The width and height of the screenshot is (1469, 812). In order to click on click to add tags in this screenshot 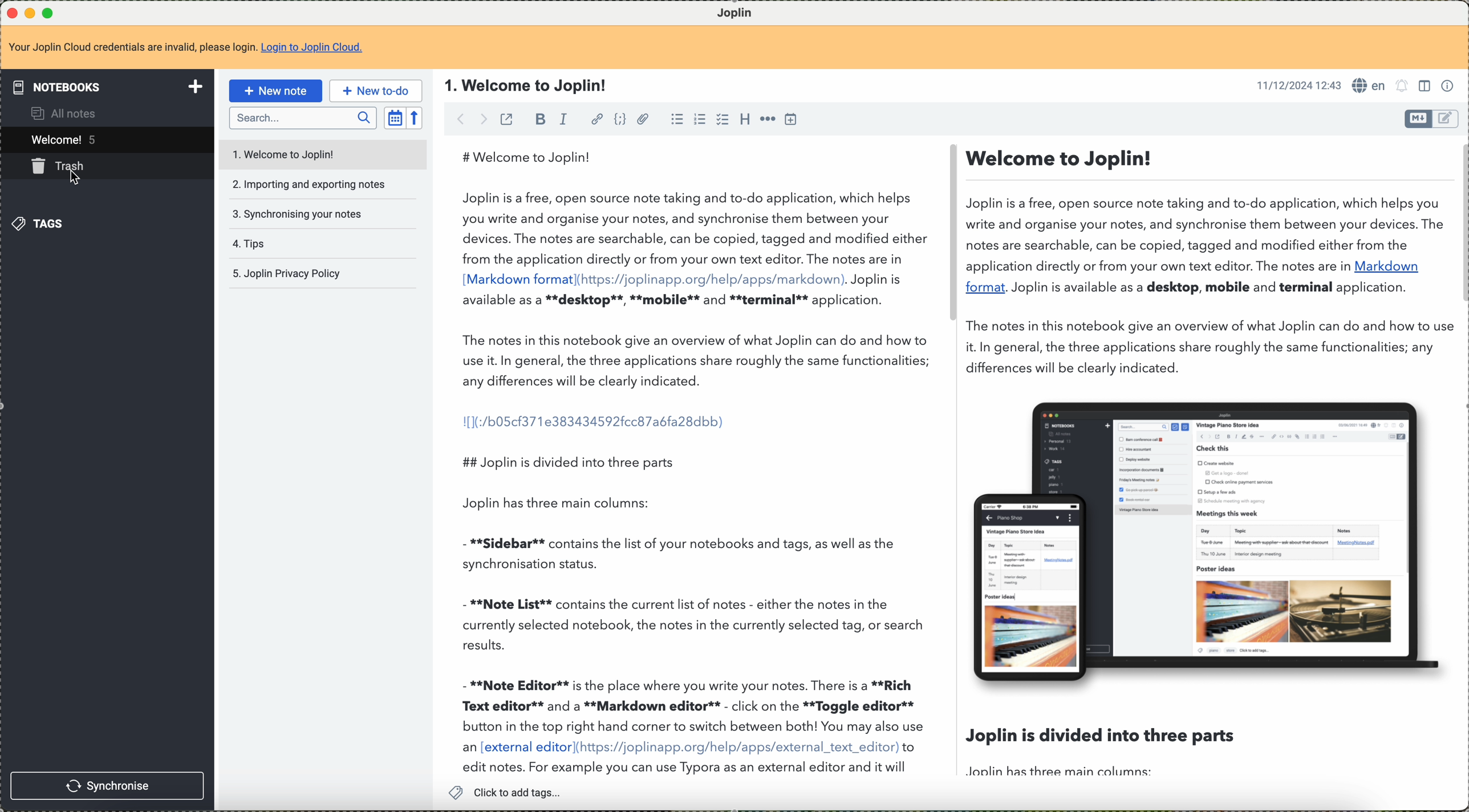, I will do `click(507, 793)`.